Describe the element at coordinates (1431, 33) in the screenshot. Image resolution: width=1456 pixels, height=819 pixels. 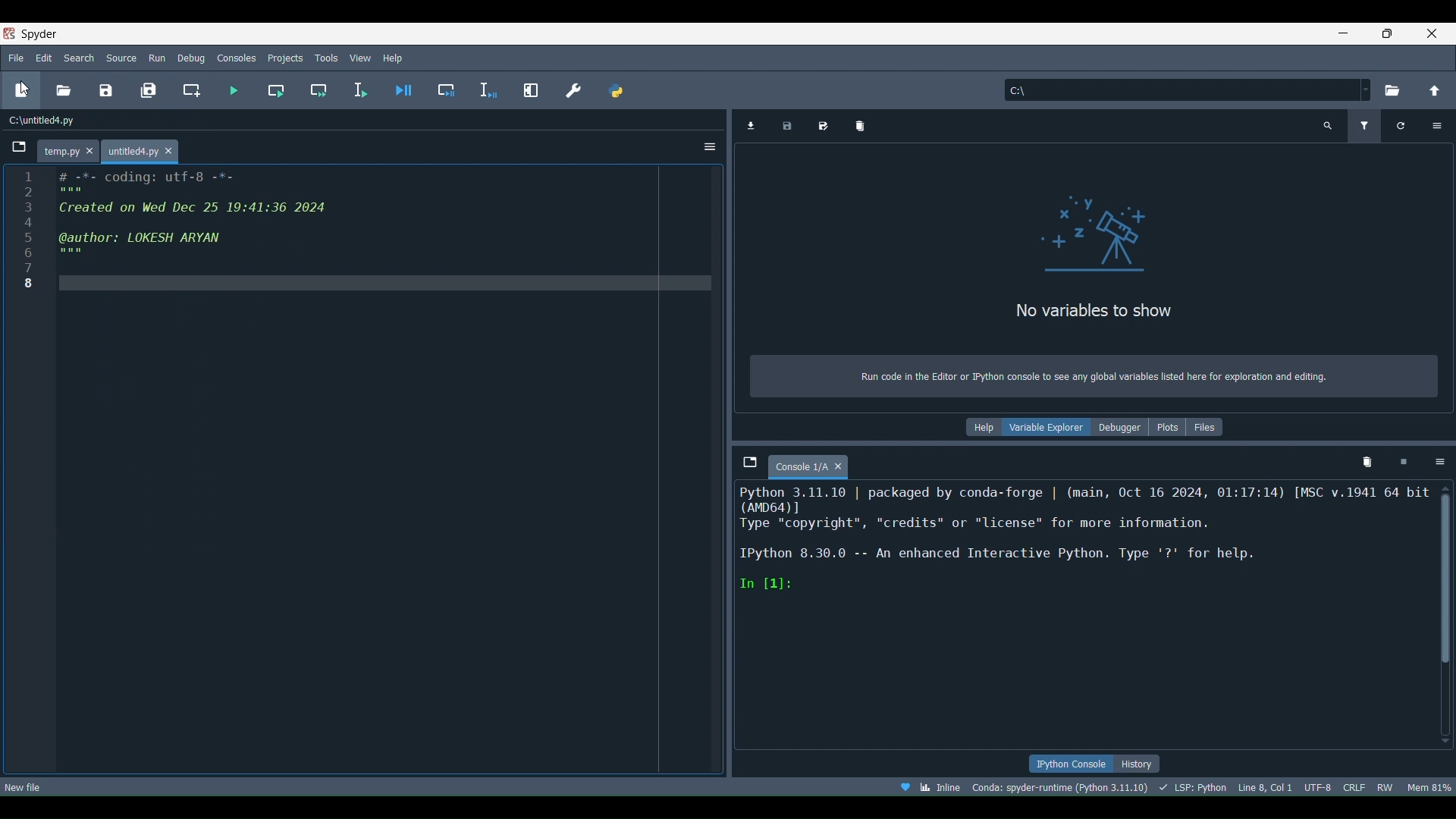
I see `close` at that location.